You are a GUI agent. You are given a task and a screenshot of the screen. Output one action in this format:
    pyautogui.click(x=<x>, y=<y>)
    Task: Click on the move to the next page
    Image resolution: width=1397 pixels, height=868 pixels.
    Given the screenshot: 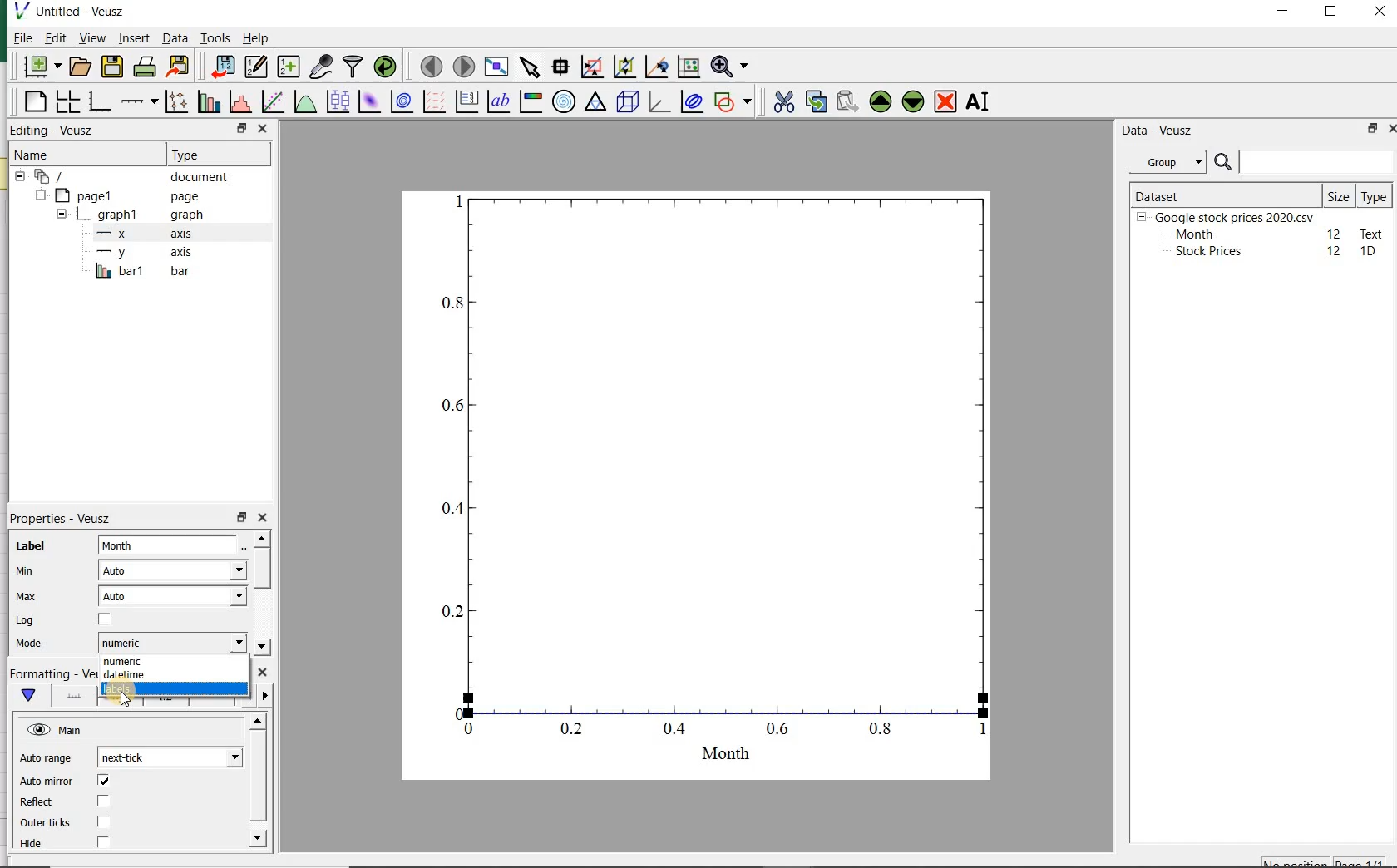 What is the action you would take?
    pyautogui.click(x=464, y=67)
    